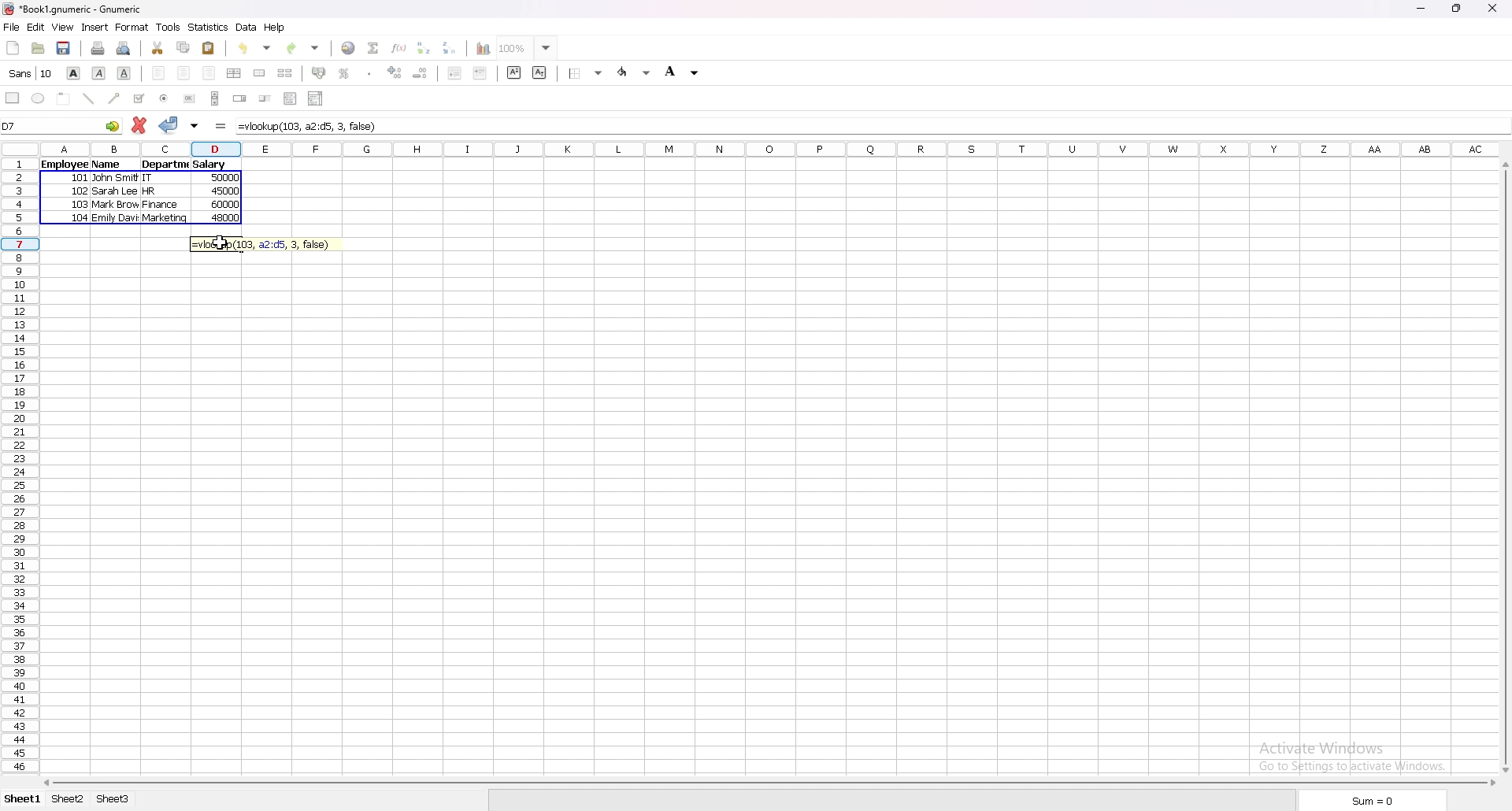  What do you see at coordinates (350, 48) in the screenshot?
I see `hyperlink` at bounding box center [350, 48].